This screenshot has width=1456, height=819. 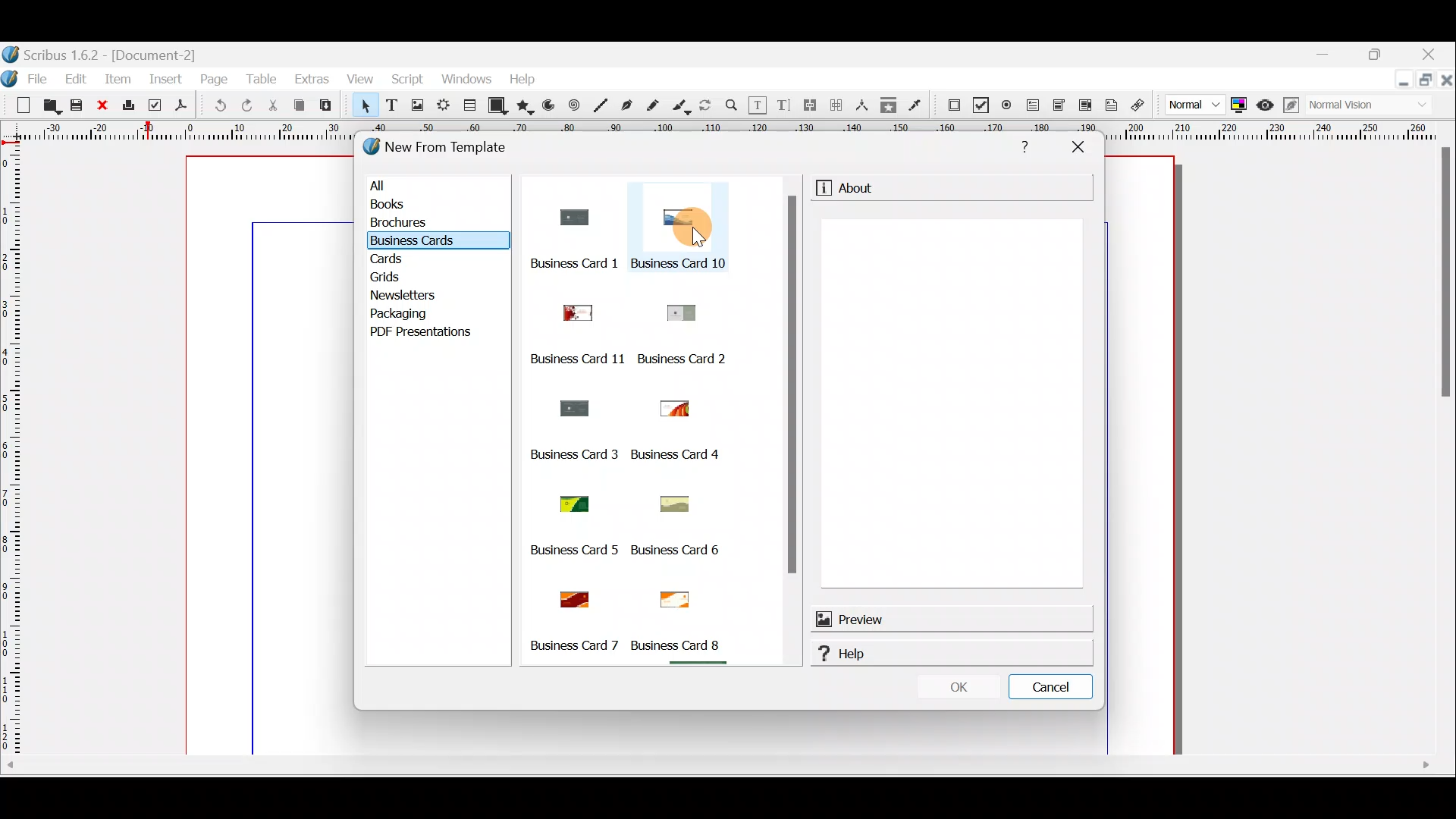 I want to click on Business card 4, so click(x=682, y=455).